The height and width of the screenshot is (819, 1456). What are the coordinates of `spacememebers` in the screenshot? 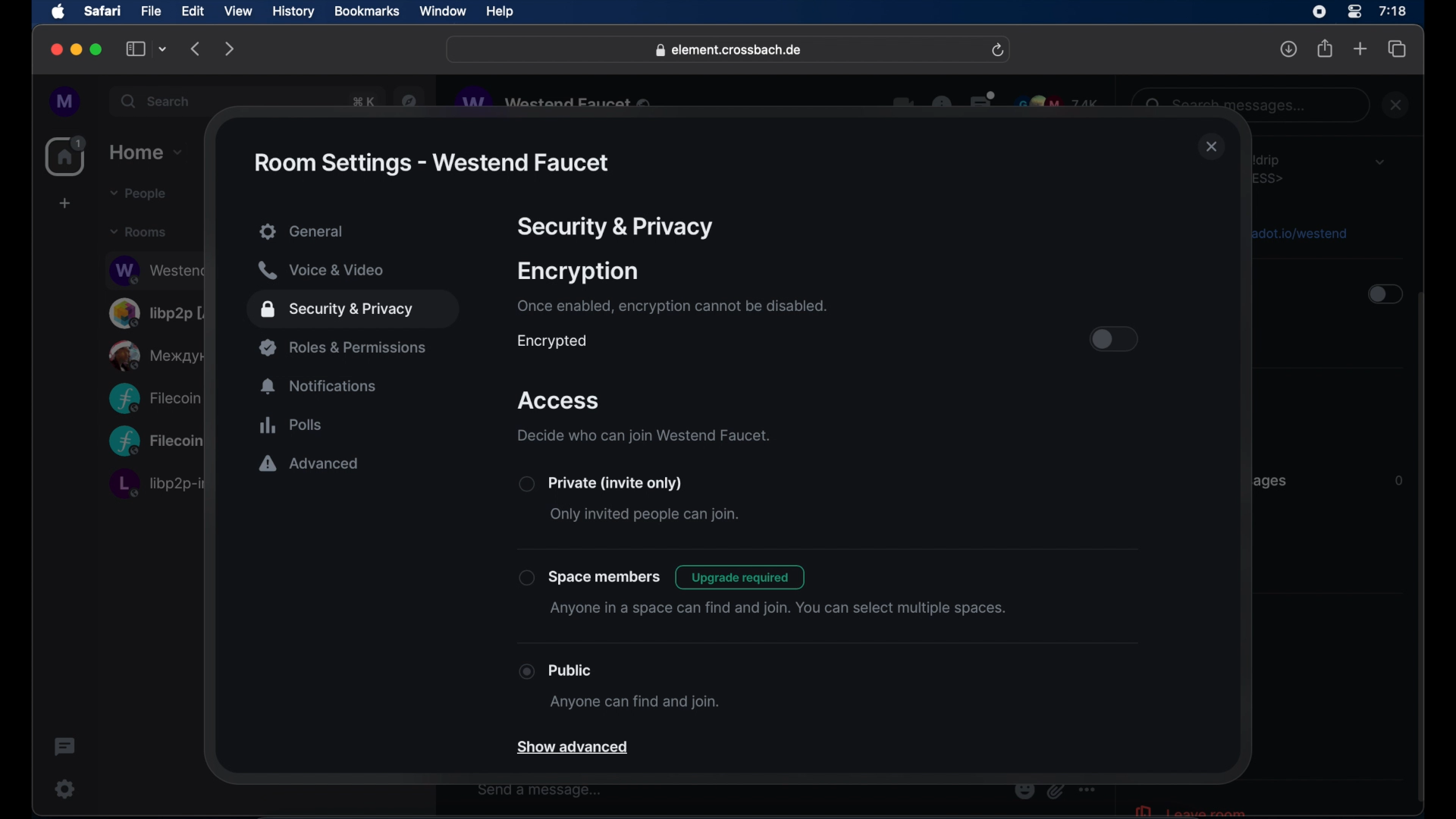 It's located at (589, 577).